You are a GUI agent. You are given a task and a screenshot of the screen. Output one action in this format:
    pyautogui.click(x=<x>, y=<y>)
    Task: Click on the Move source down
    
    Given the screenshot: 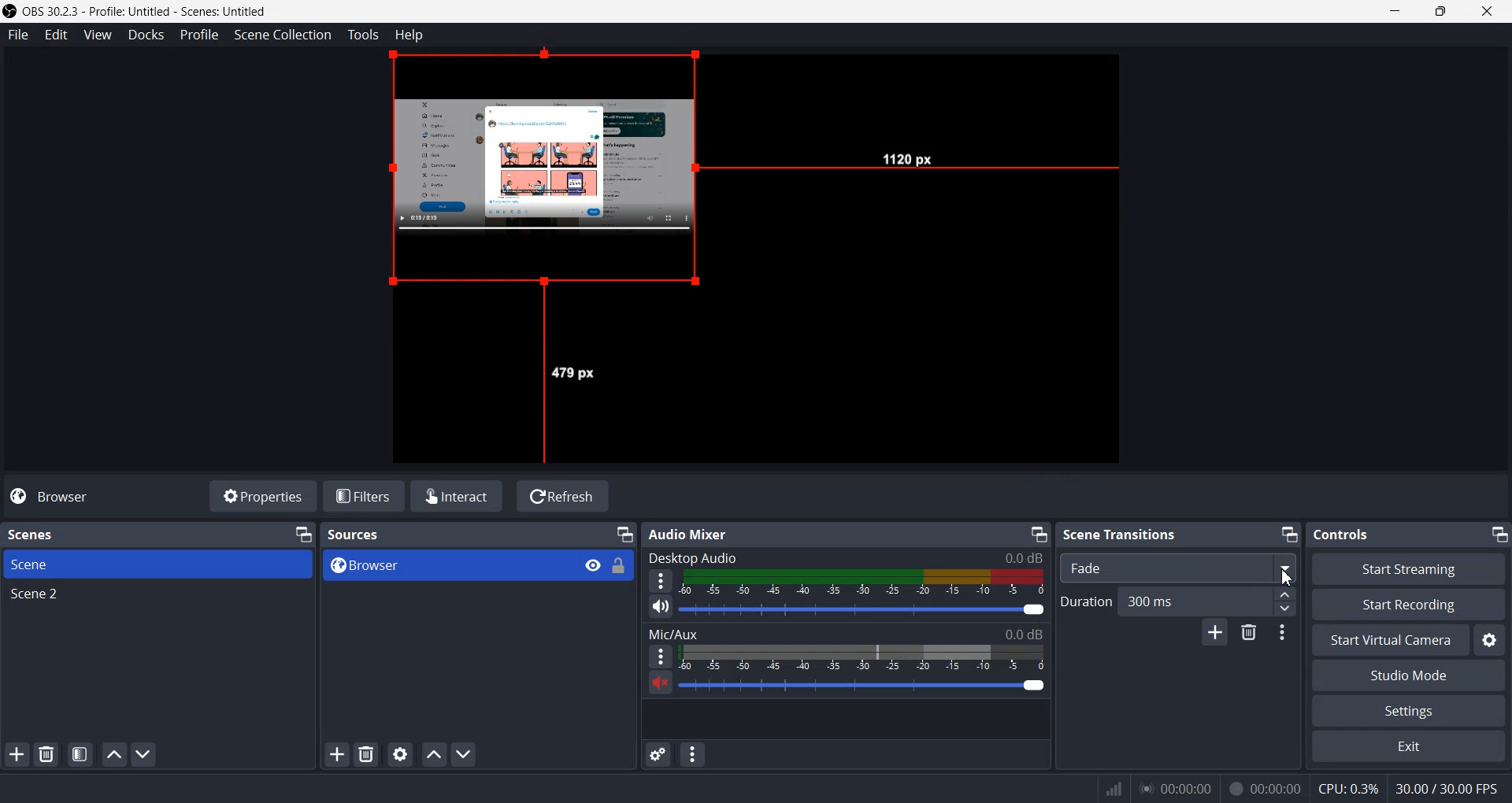 What is the action you would take?
    pyautogui.click(x=464, y=754)
    